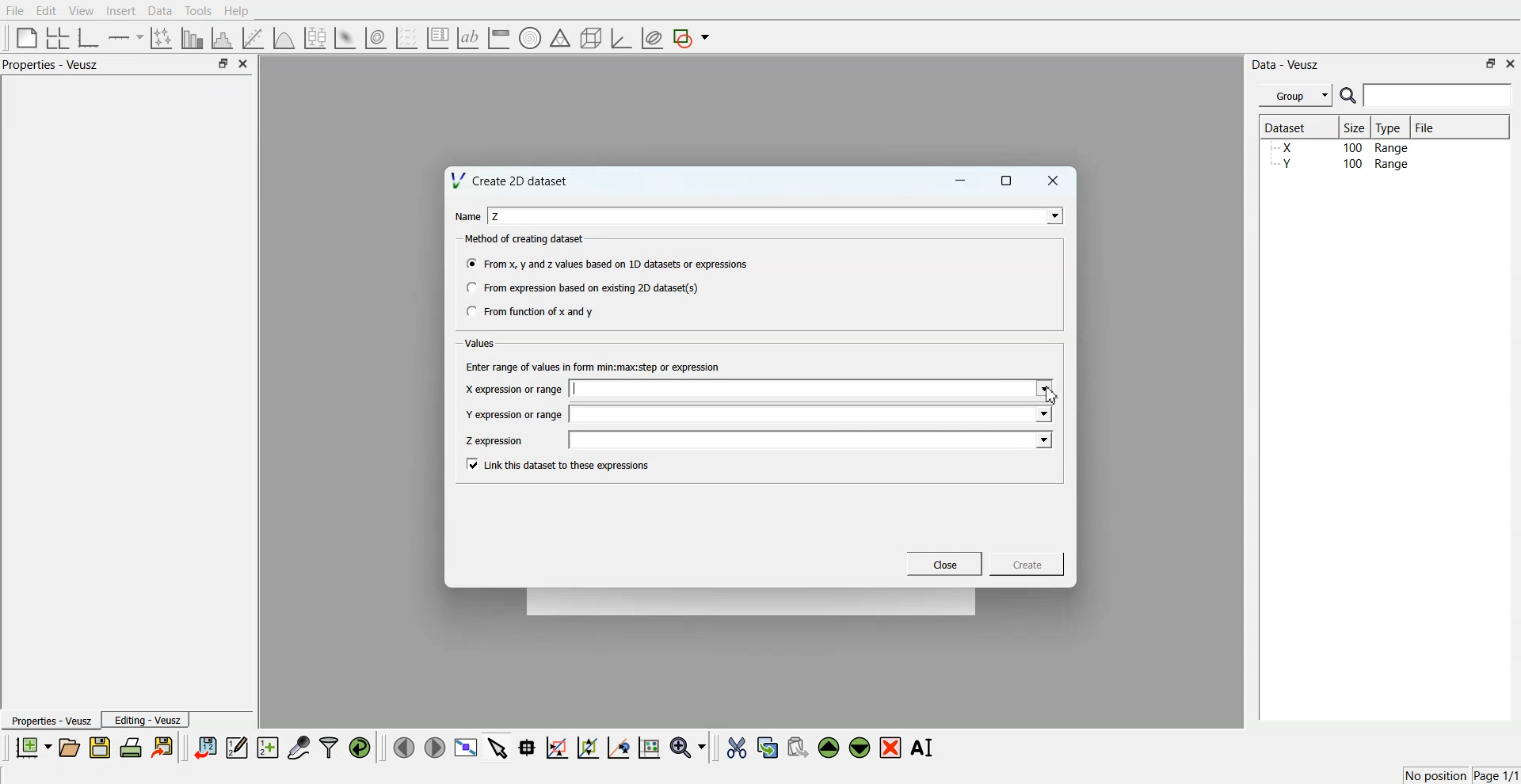 This screenshot has width=1521, height=784. What do you see at coordinates (345, 38) in the screenshot?
I see `3D Surface` at bounding box center [345, 38].